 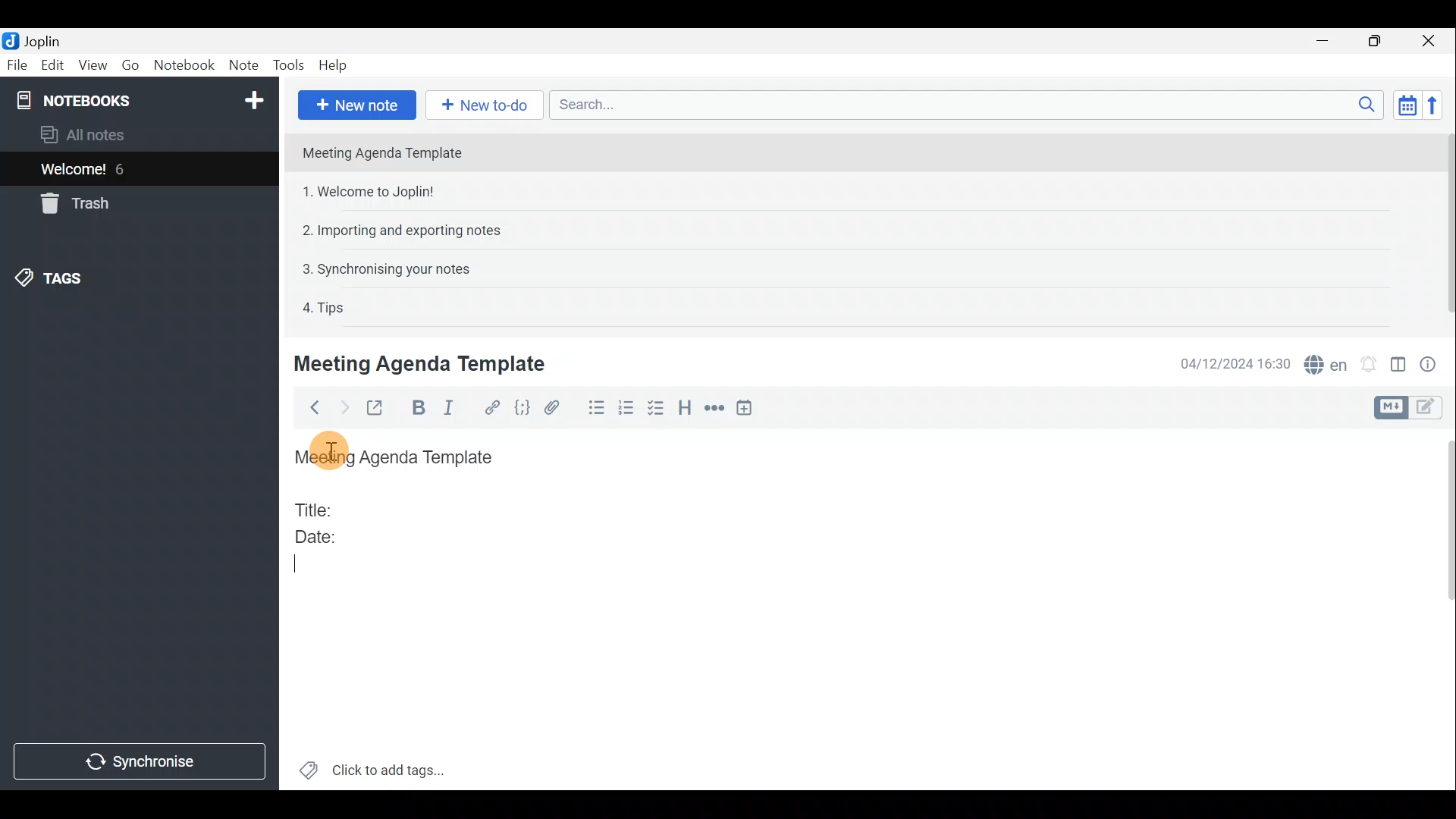 I want to click on Back, so click(x=310, y=410).